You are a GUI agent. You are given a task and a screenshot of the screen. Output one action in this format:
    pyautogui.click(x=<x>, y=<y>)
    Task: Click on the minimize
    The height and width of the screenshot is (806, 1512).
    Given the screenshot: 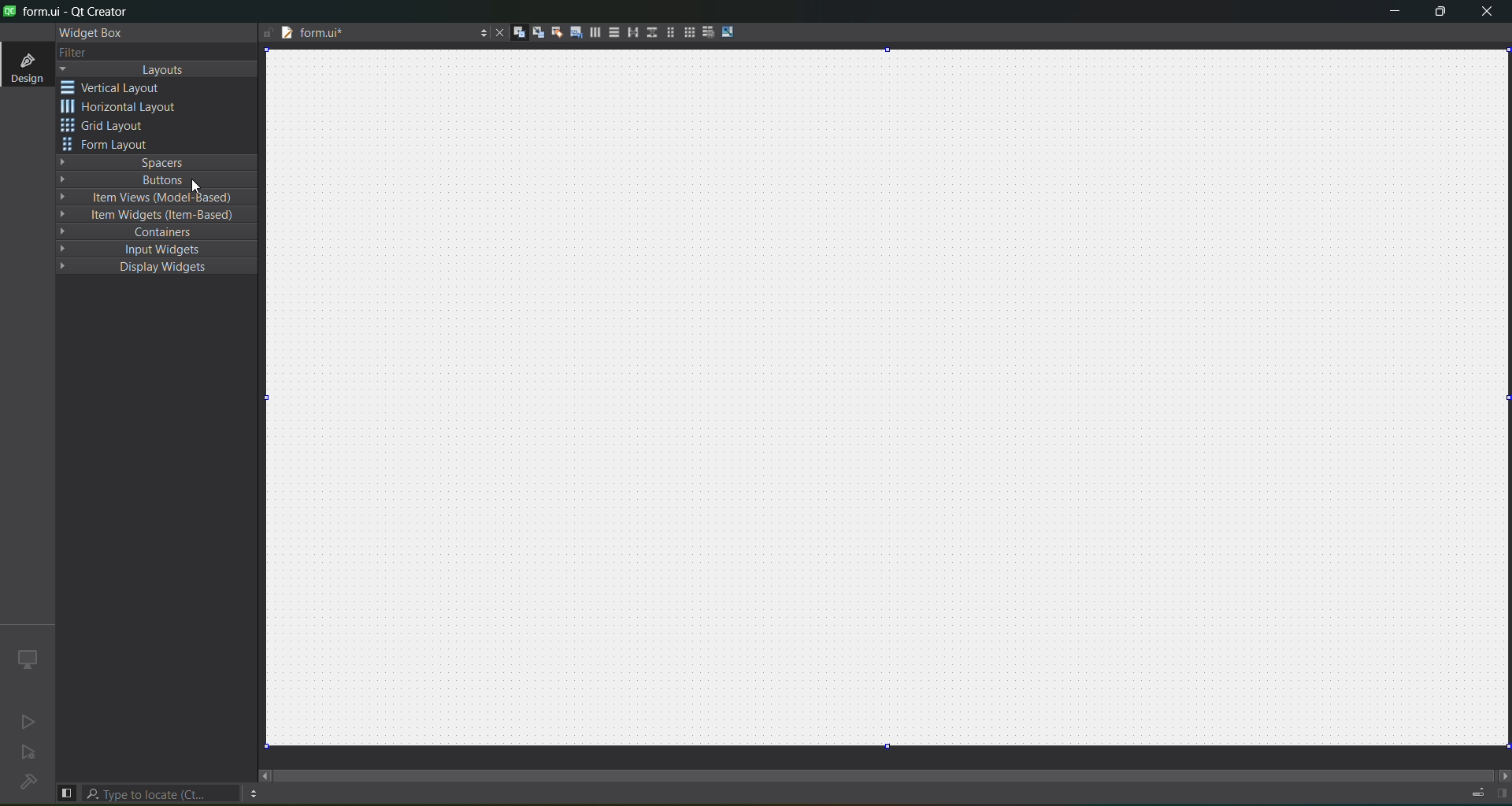 What is the action you would take?
    pyautogui.click(x=1389, y=13)
    